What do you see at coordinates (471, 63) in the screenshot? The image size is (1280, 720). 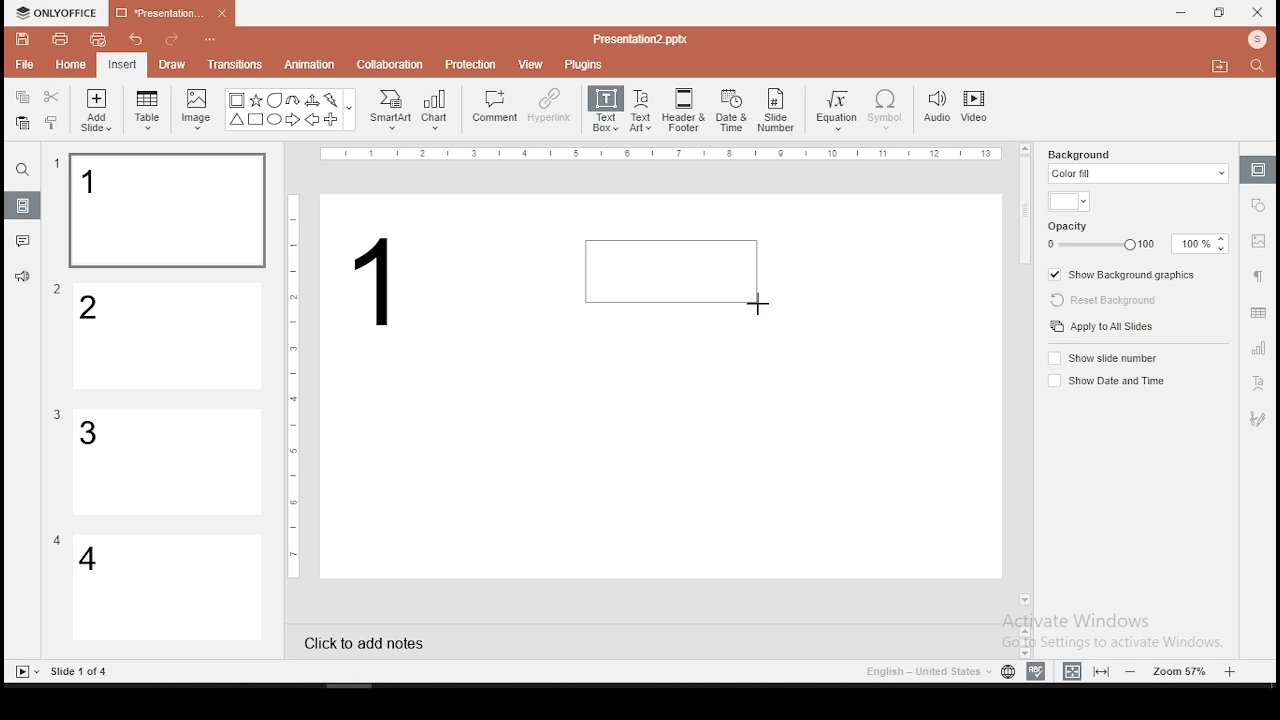 I see `protection` at bounding box center [471, 63].